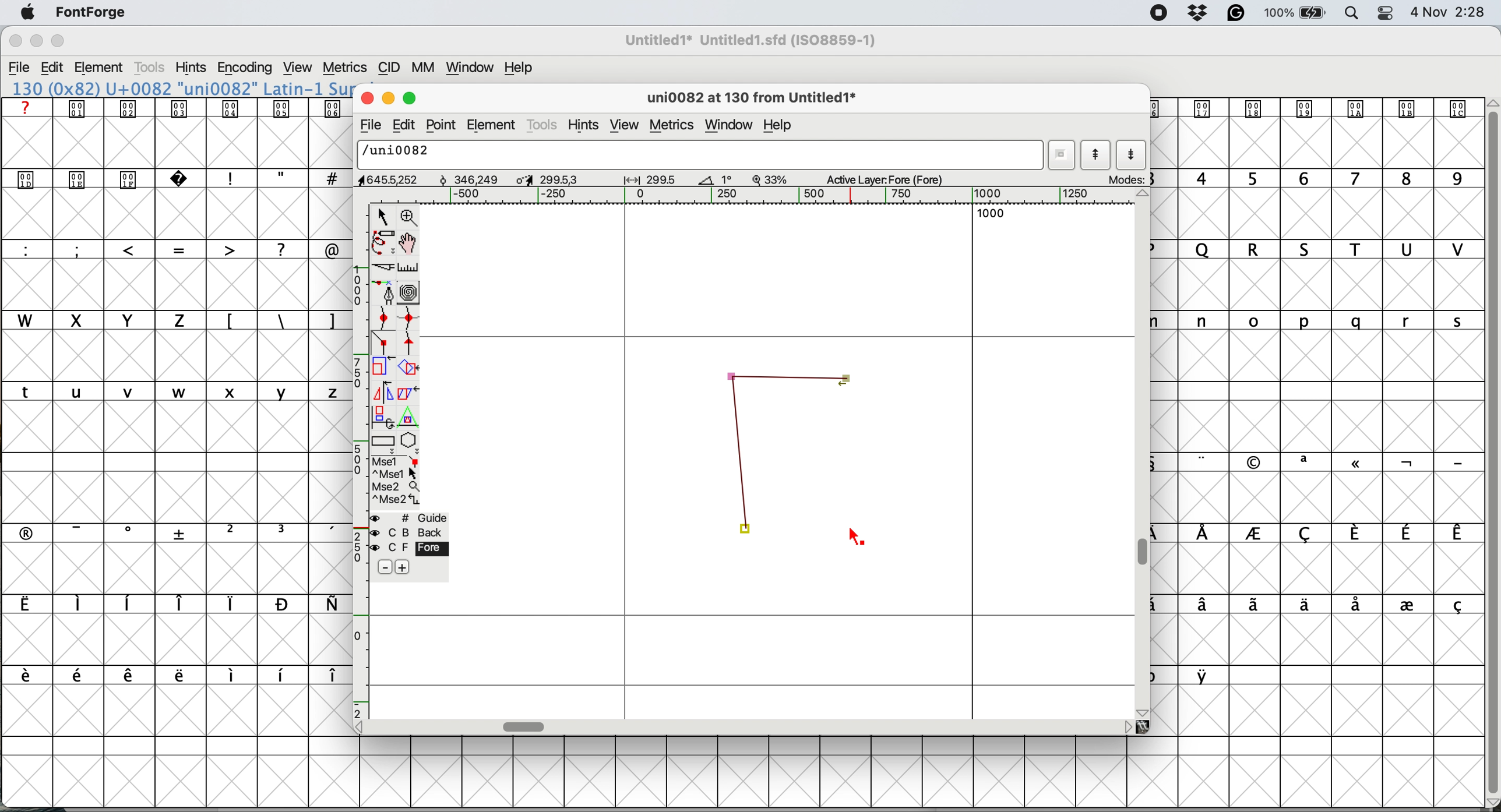  What do you see at coordinates (103, 320) in the screenshot?
I see `uppercase letters` at bounding box center [103, 320].